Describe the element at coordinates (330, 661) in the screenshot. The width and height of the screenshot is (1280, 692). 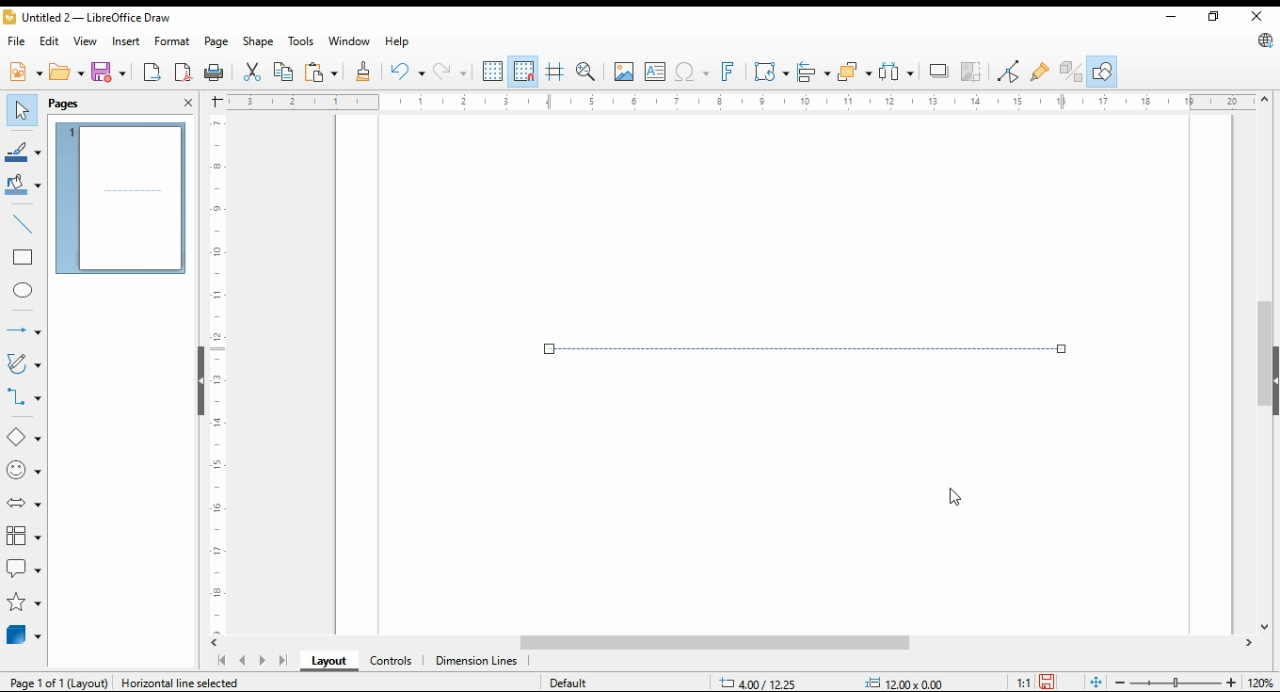
I see `layout` at that location.